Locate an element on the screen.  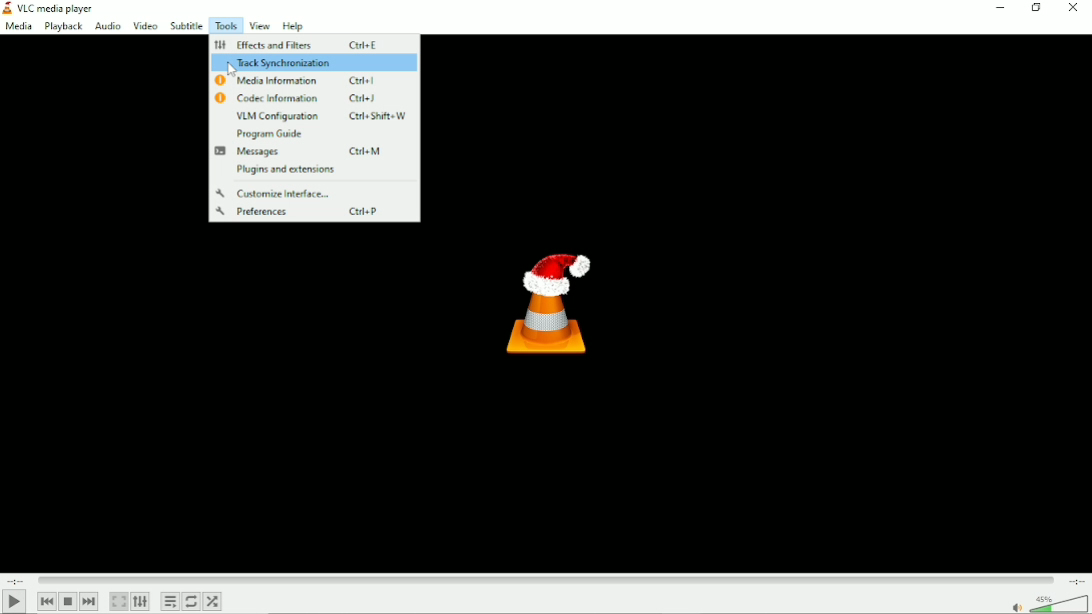
Media information is located at coordinates (300, 81).